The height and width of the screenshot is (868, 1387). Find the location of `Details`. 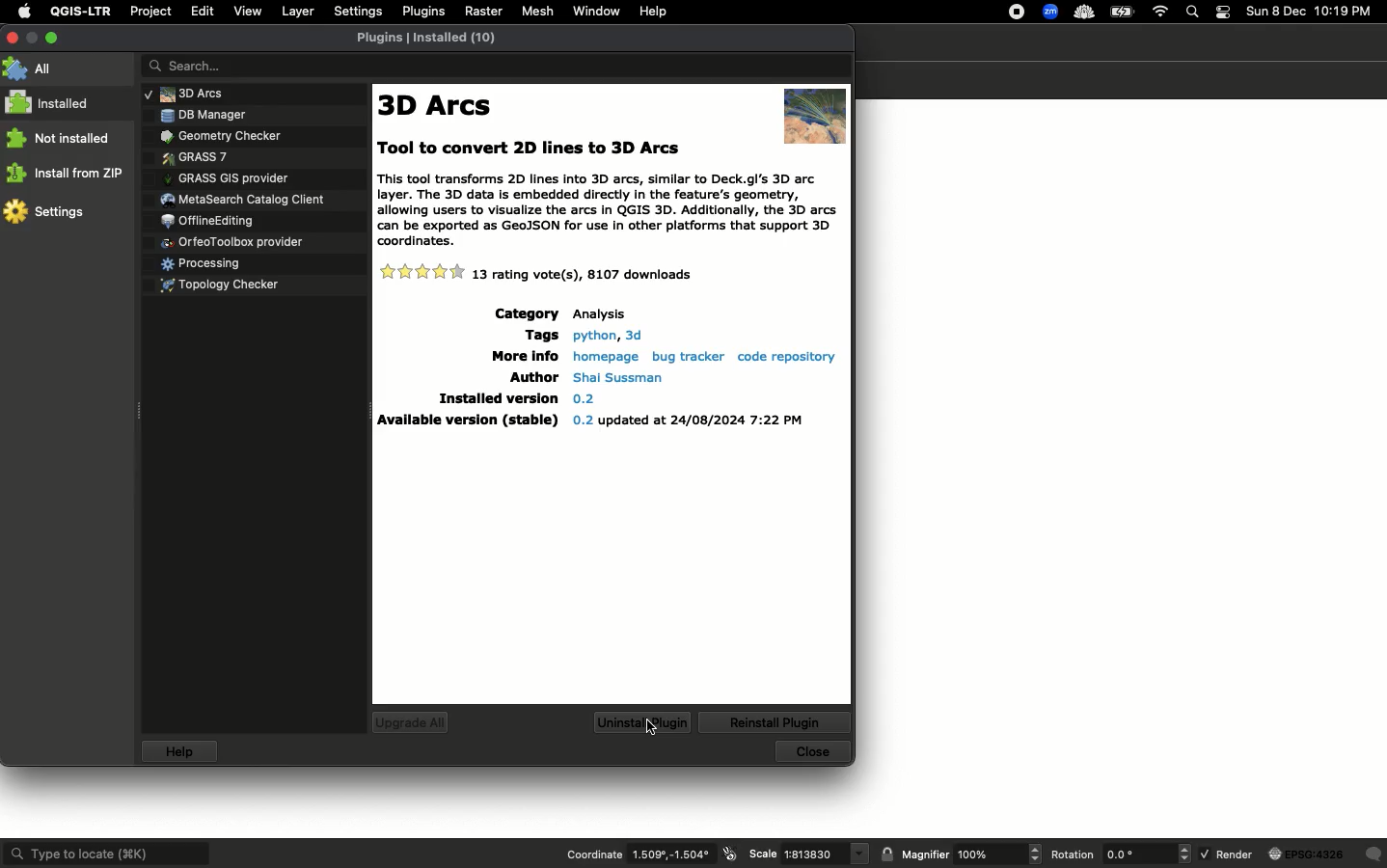

Details is located at coordinates (585, 335).